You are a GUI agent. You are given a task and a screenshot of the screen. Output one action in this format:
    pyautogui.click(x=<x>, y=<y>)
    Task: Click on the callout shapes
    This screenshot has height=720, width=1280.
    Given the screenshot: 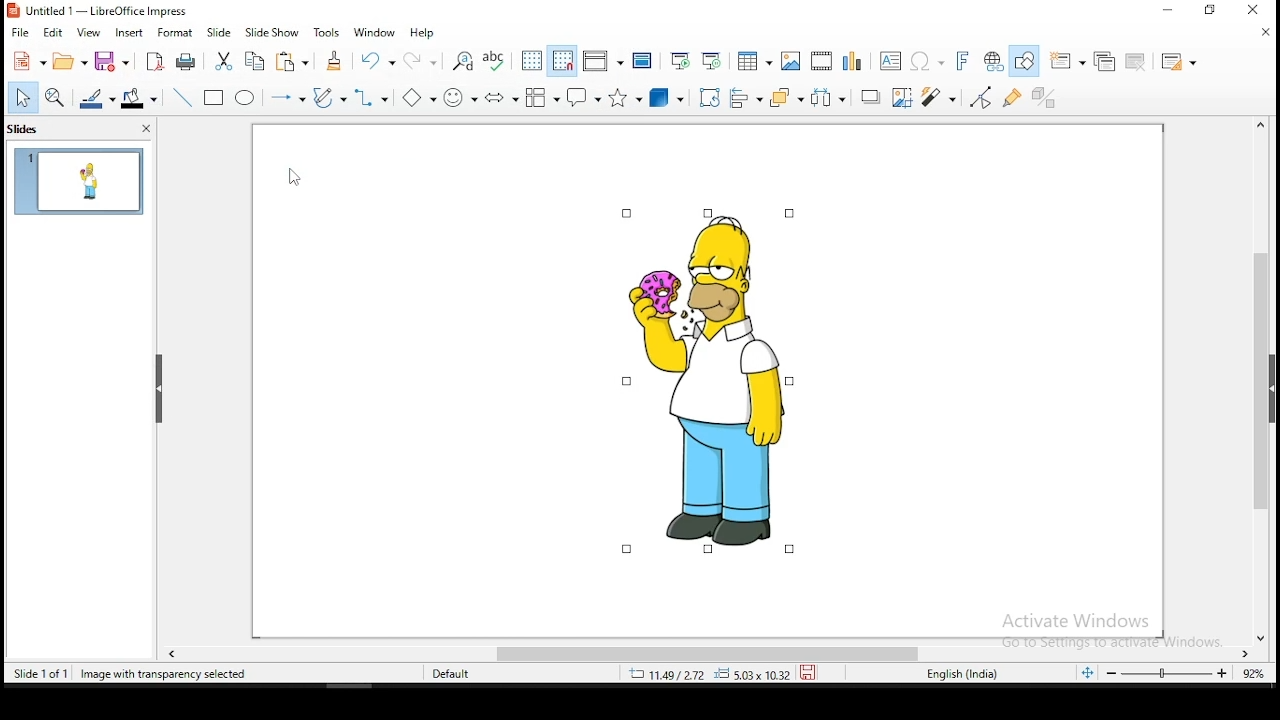 What is the action you would take?
    pyautogui.click(x=586, y=97)
    